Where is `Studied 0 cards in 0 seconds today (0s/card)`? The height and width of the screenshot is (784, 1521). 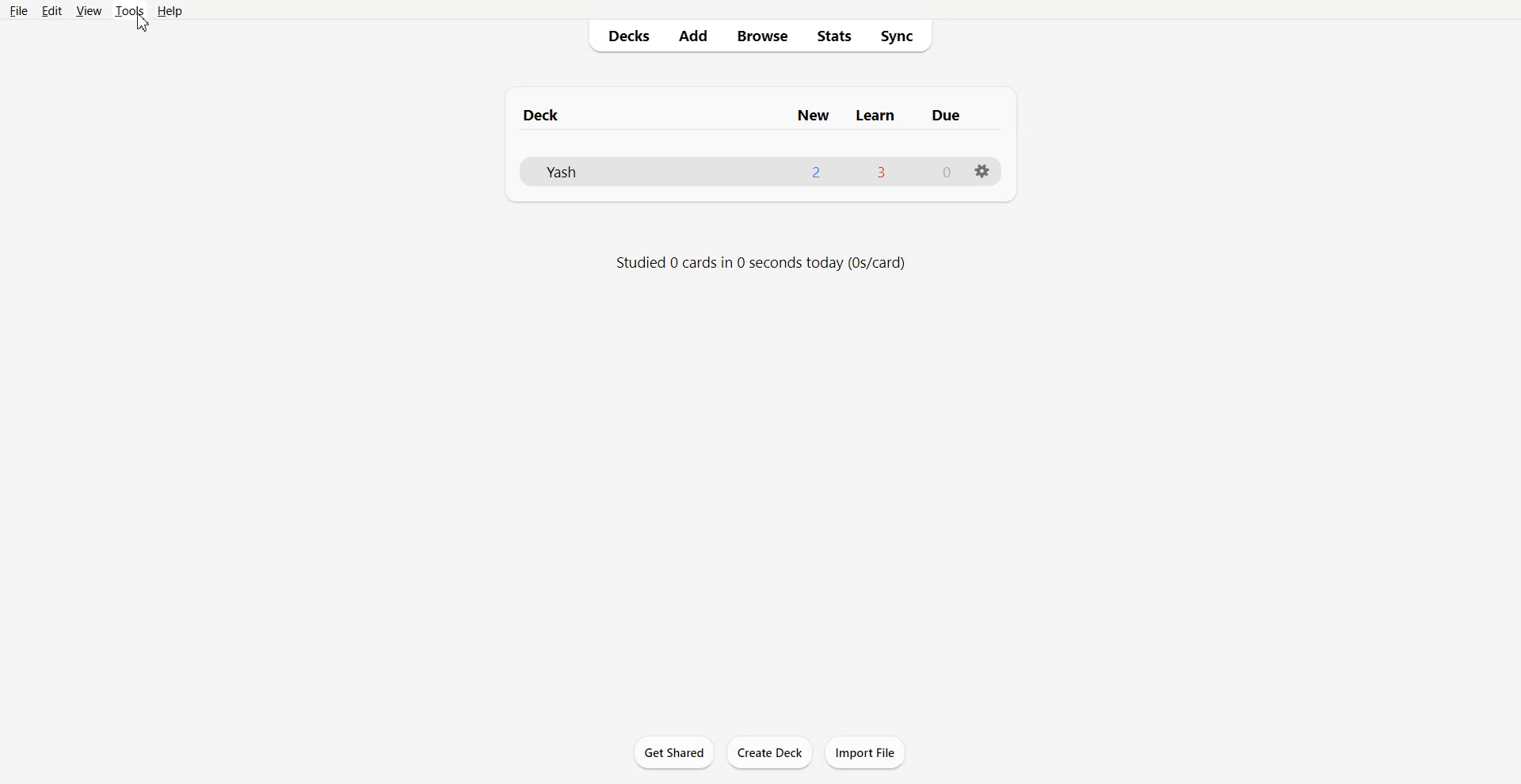 Studied 0 cards in 0 seconds today (0s/card) is located at coordinates (762, 263).